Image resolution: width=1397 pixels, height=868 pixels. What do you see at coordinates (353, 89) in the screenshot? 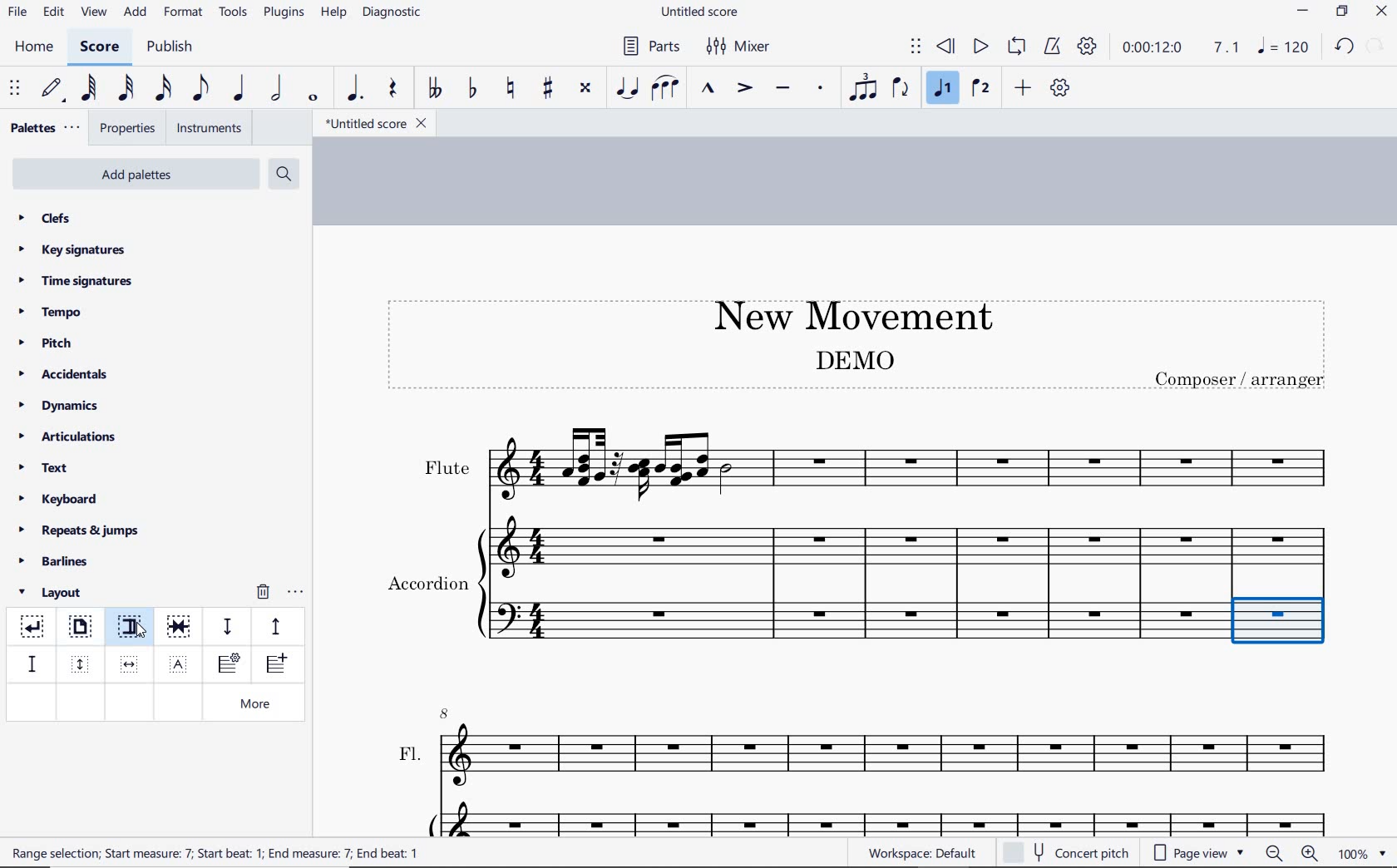
I see `augmentation dot` at bounding box center [353, 89].